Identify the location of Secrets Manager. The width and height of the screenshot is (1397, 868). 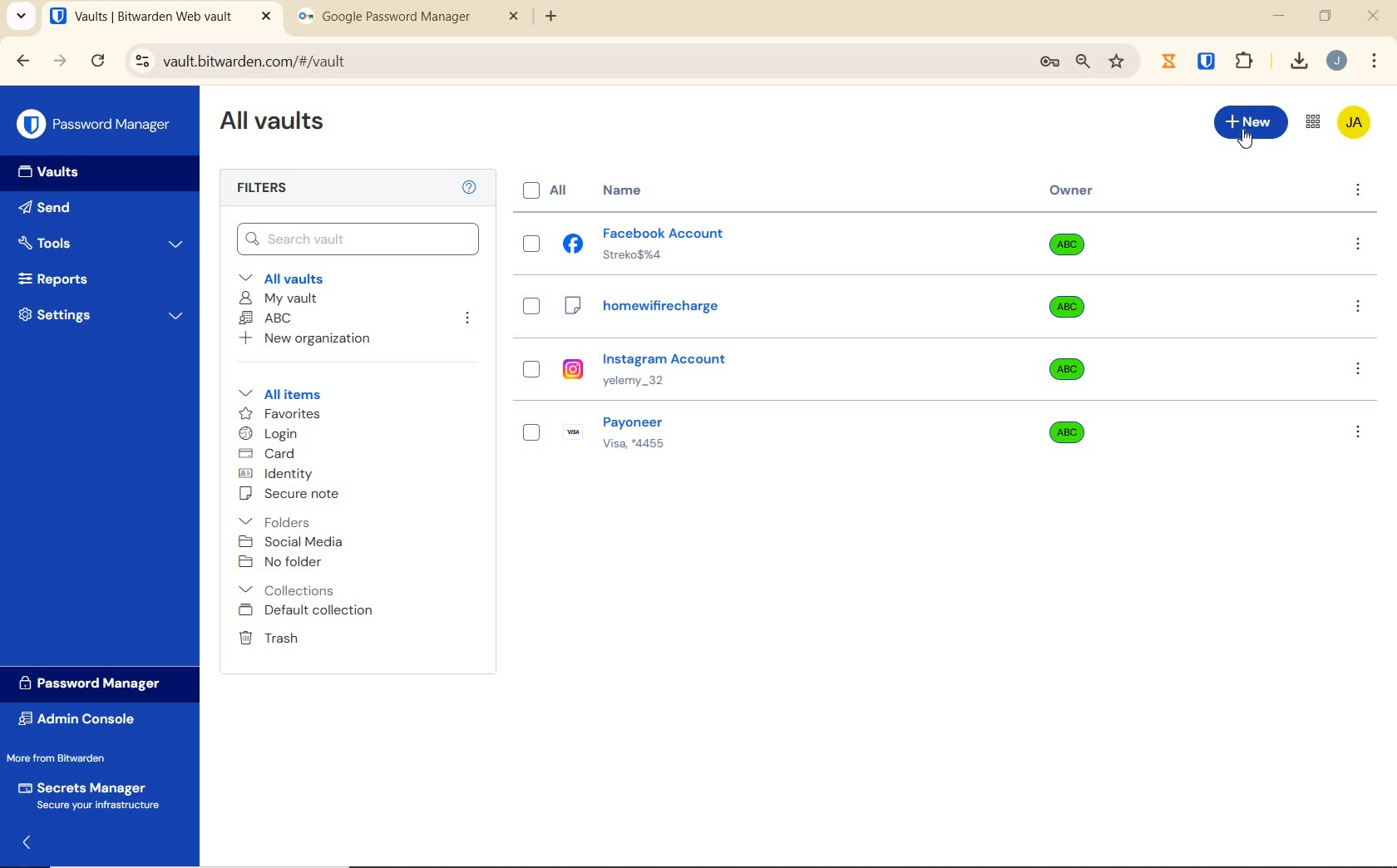
(86, 796).